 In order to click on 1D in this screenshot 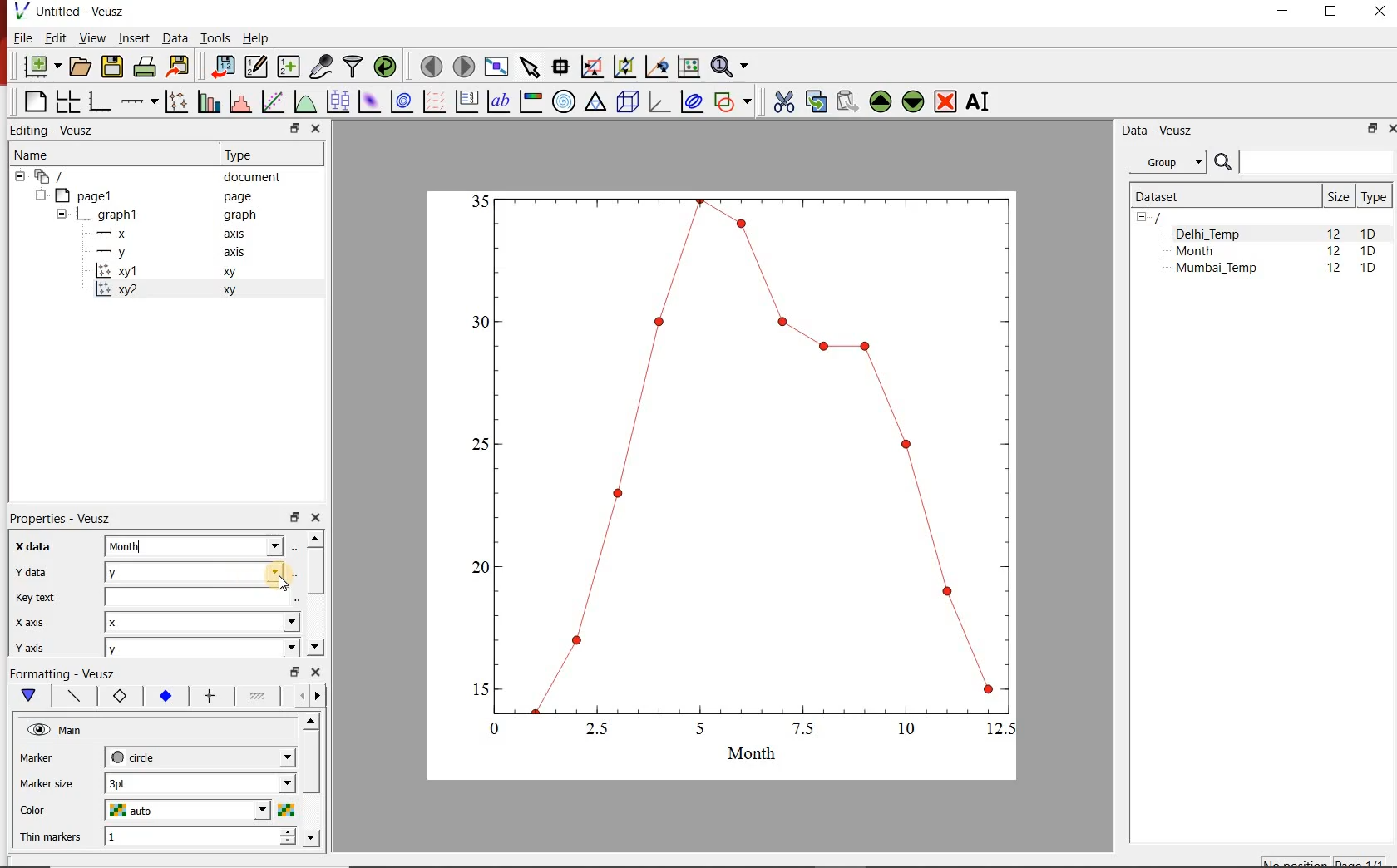, I will do `click(1369, 234)`.